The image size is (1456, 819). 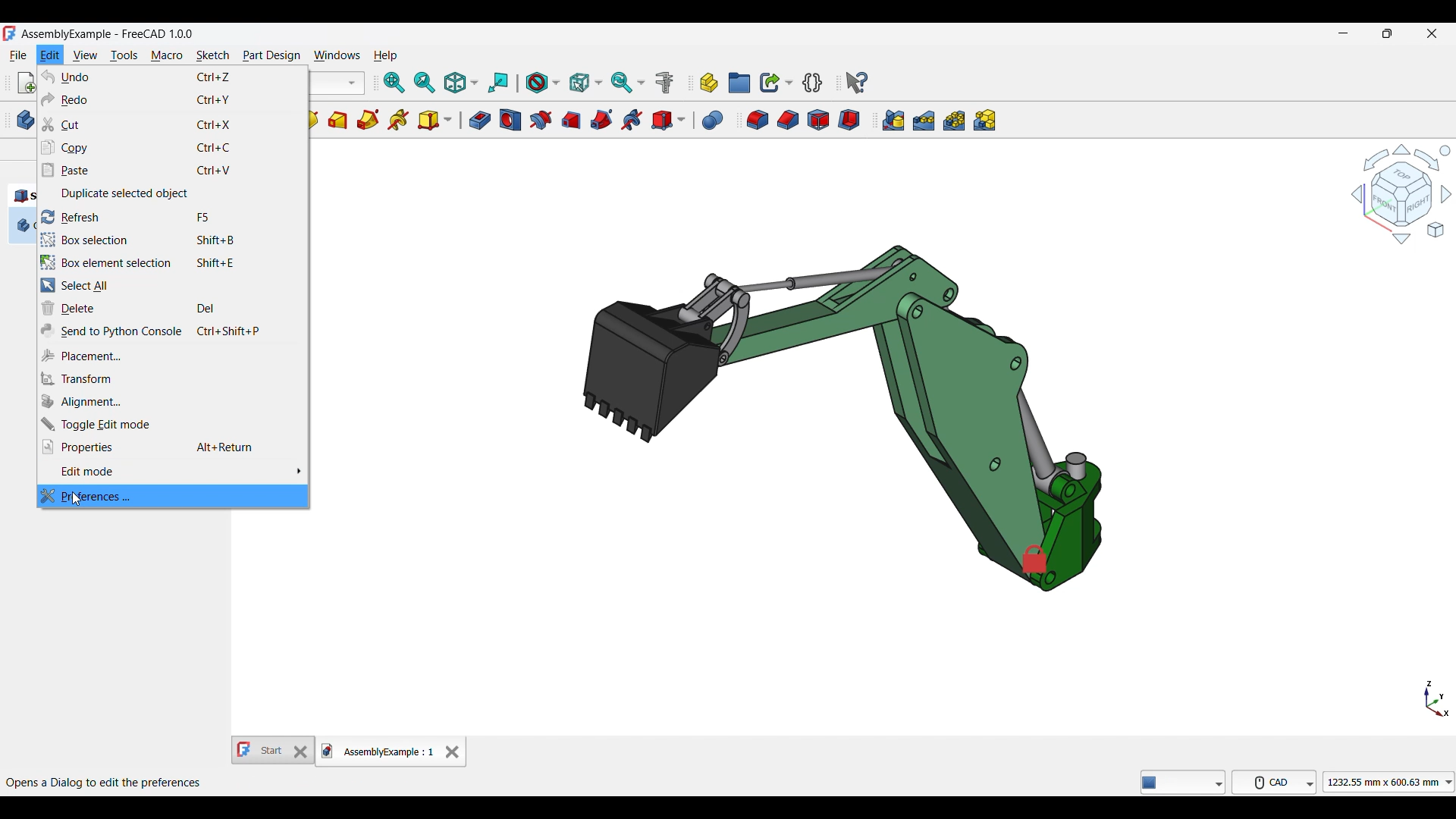 What do you see at coordinates (9, 33) in the screenshot?
I see `Software logo` at bounding box center [9, 33].